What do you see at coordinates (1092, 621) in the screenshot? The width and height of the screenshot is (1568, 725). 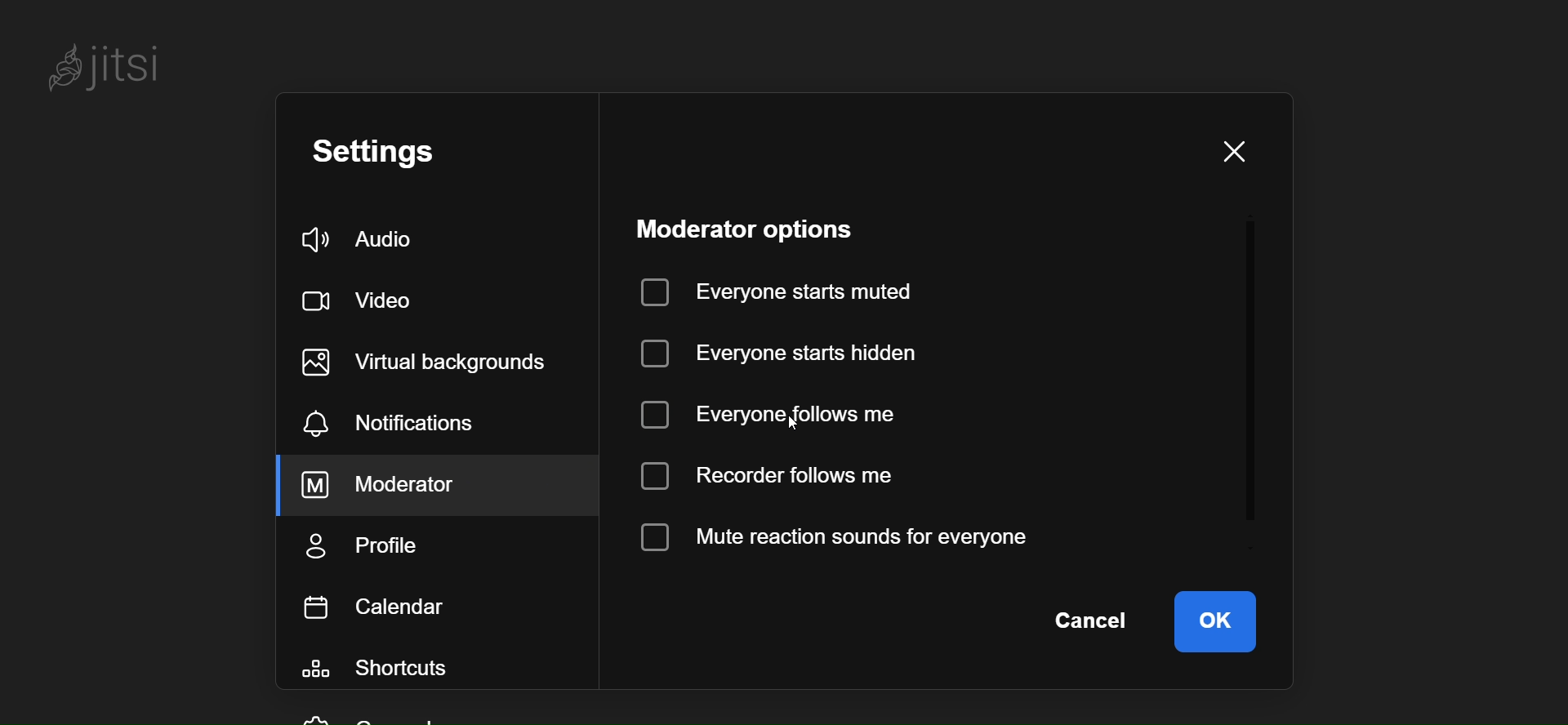 I see `cancel` at bounding box center [1092, 621].